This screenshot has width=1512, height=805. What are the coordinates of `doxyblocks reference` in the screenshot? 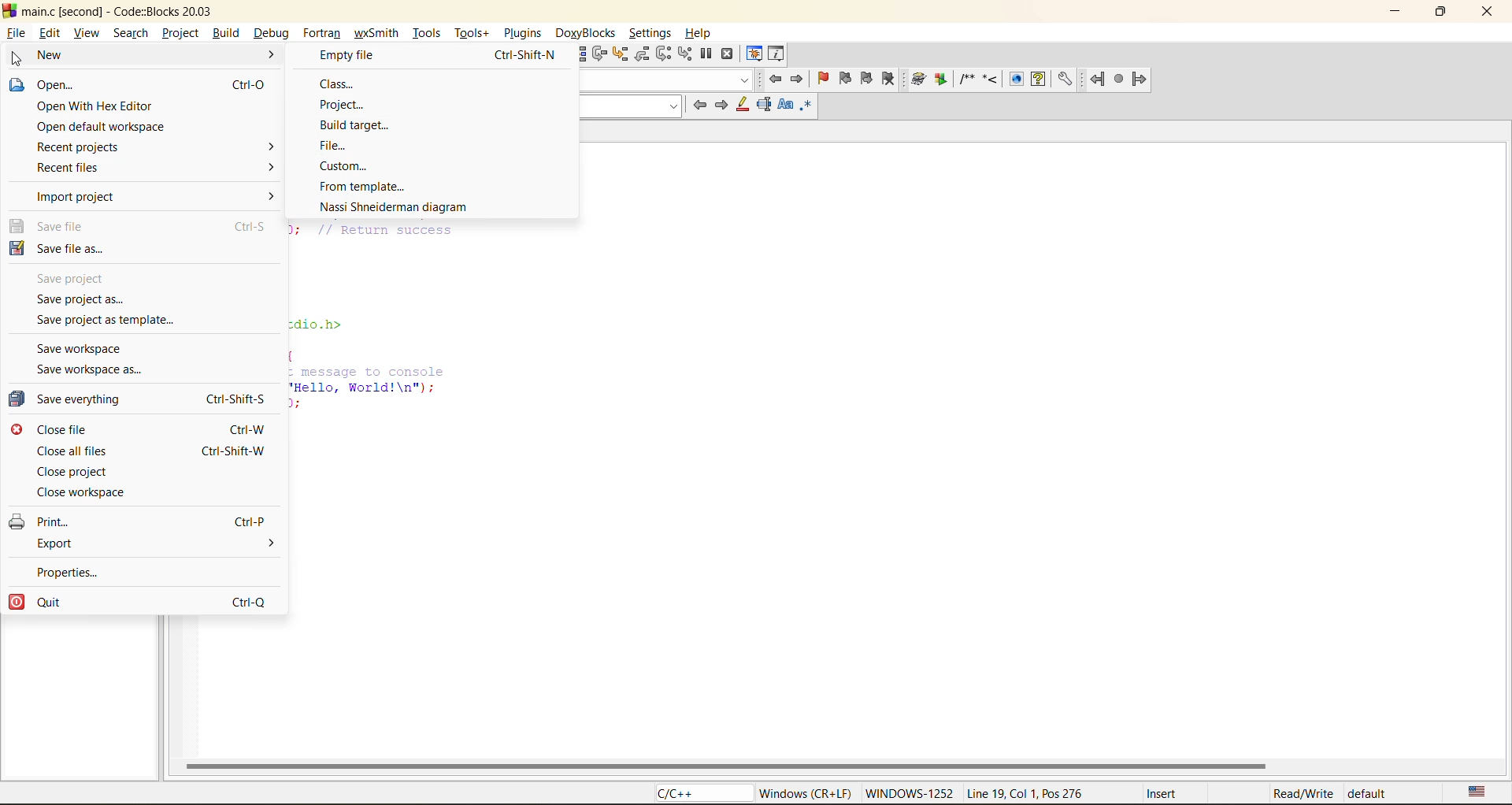 It's located at (991, 80).